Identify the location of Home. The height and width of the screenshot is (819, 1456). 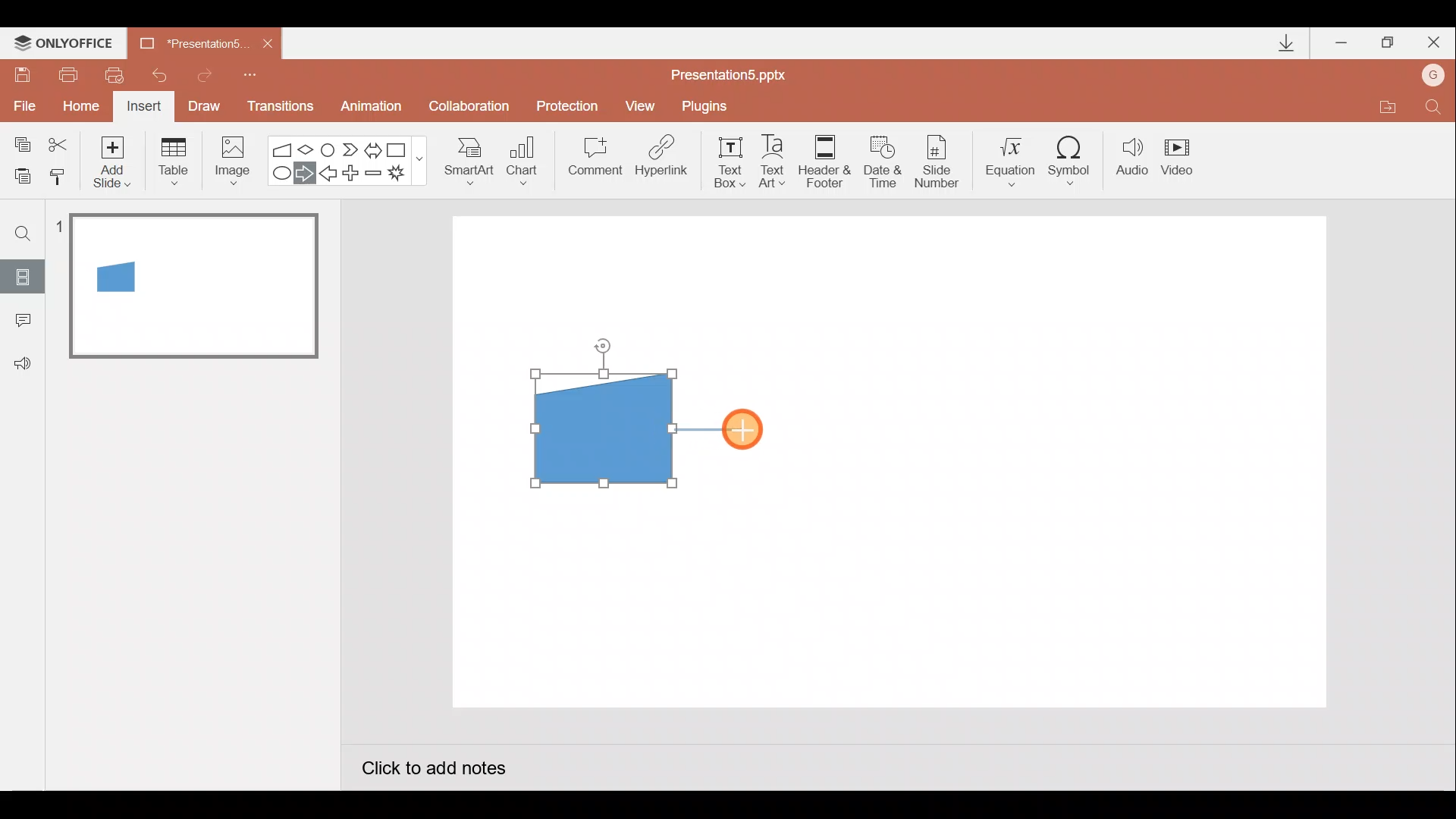
(77, 102).